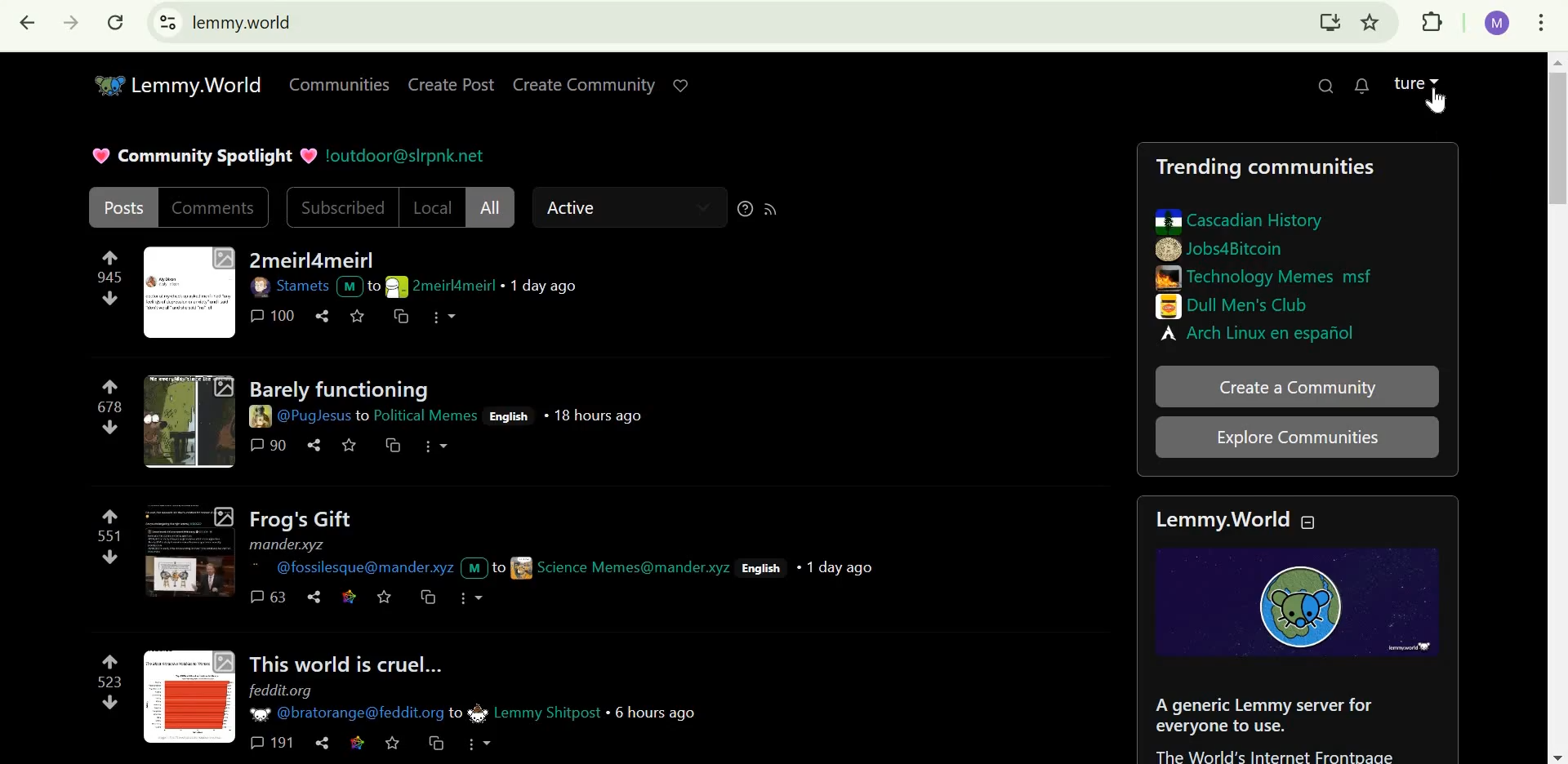  What do you see at coordinates (189, 421) in the screenshot?
I see `thumbnail-2` at bounding box center [189, 421].